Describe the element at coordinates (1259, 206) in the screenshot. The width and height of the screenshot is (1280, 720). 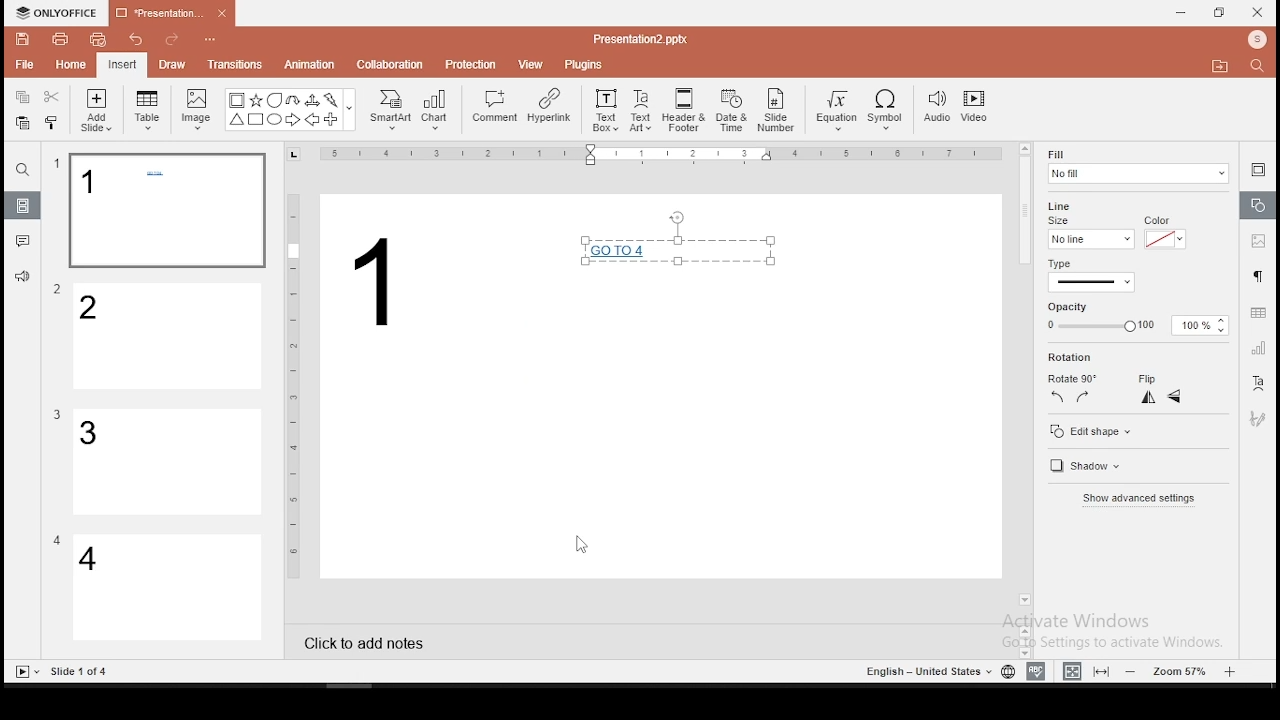
I see `shape settings` at that location.